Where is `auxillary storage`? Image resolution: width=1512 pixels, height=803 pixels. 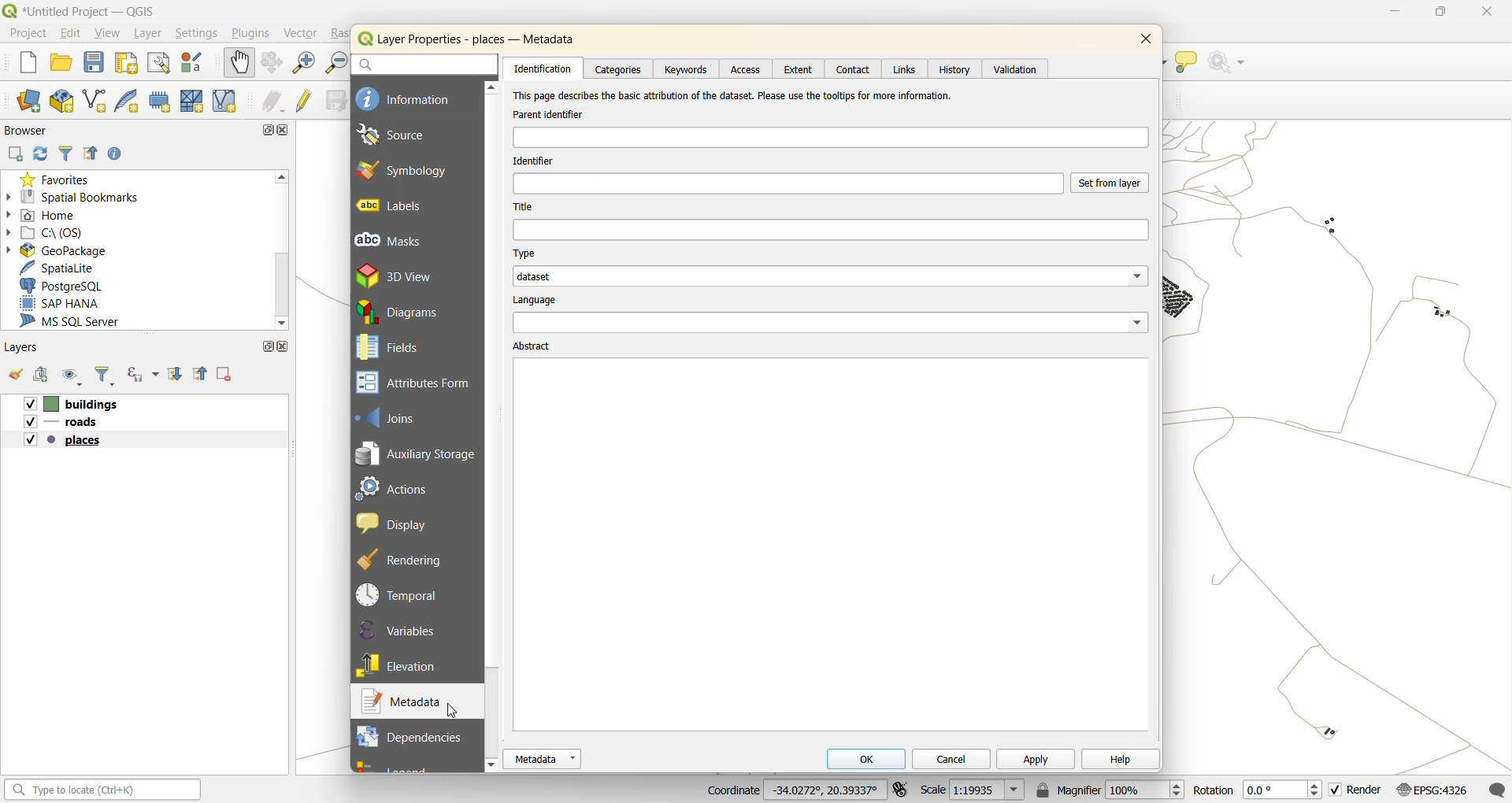 auxillary storage is located at coordinates (416, 455).